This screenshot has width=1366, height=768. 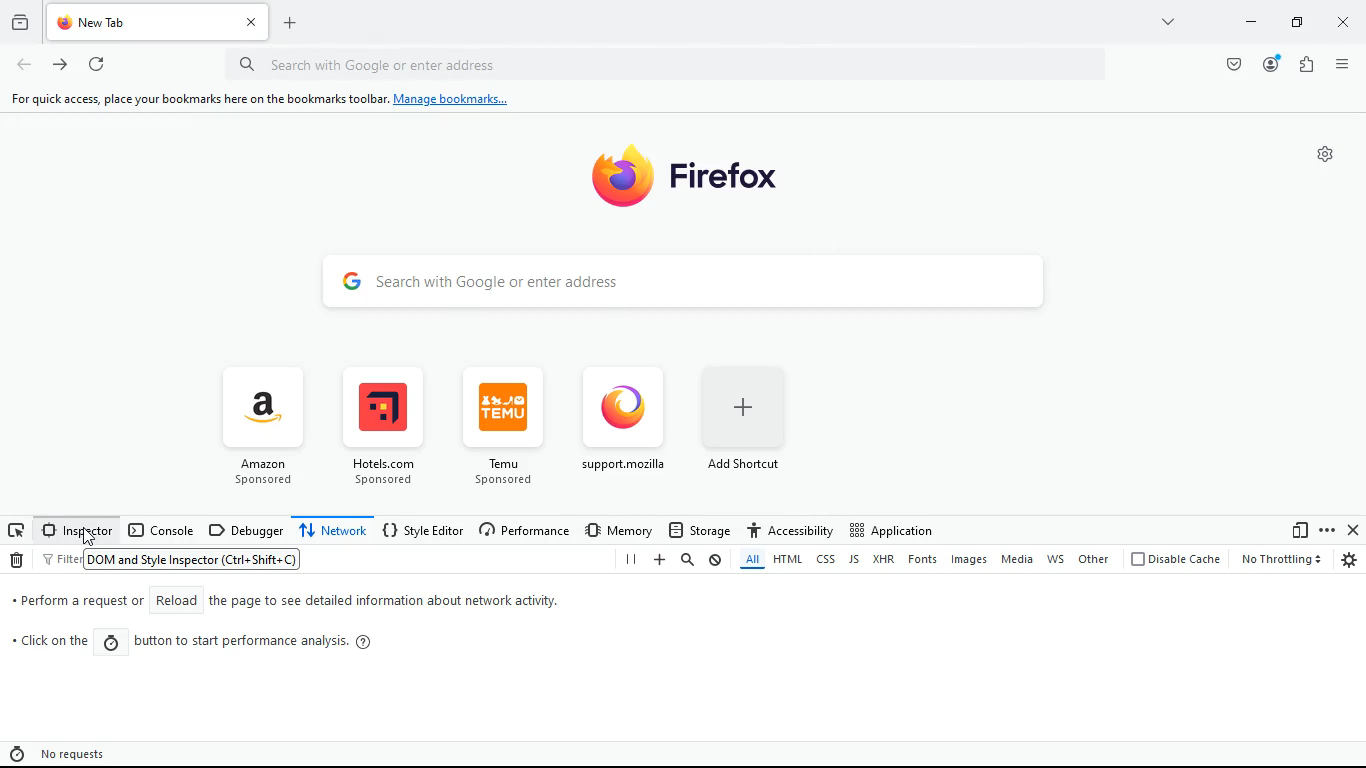 I want to click on performance, so click(x=528, y=531).